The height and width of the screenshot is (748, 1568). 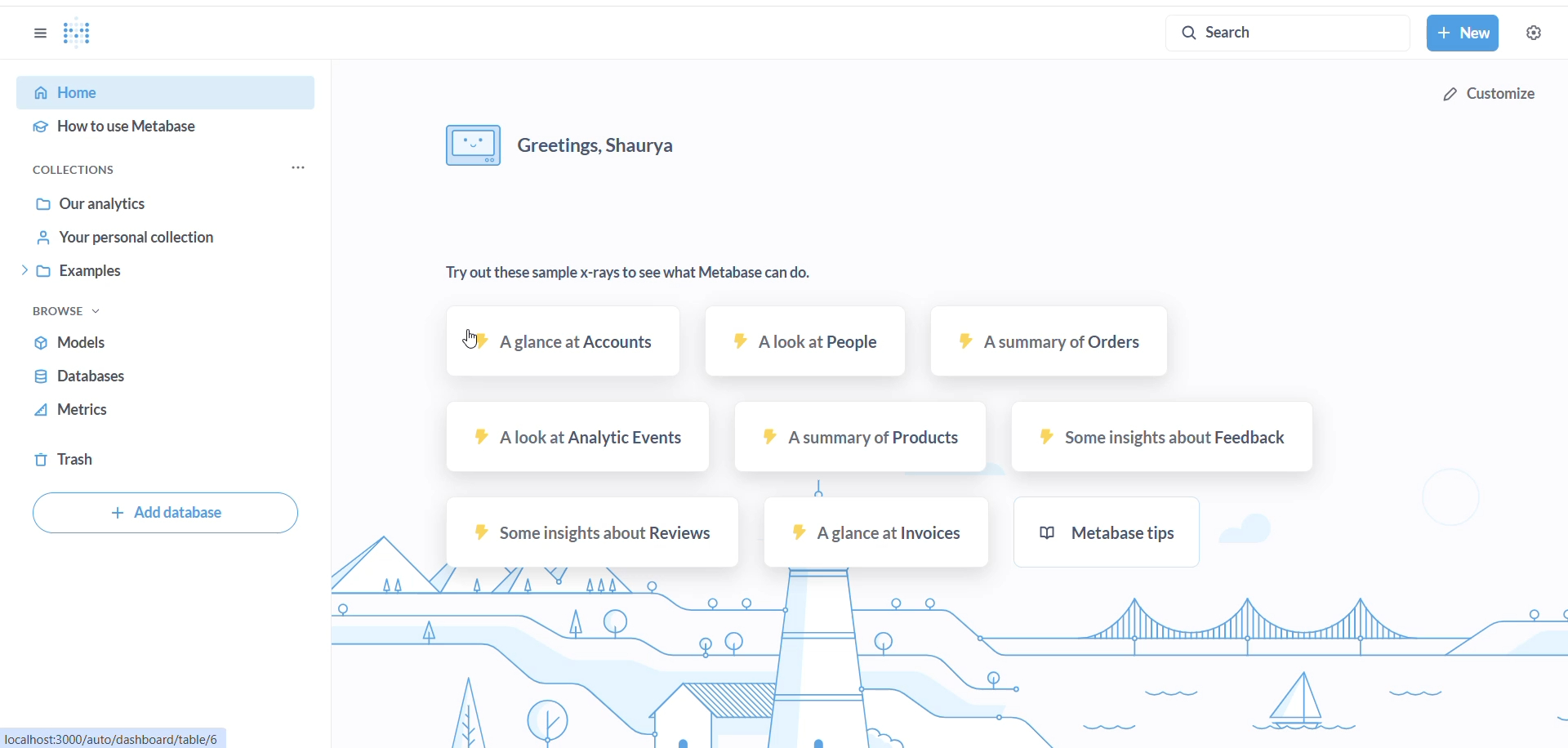 What do you see at coordinates (97, 167) in the screenshot?
I see `collections` at bounding box center [97, 167].